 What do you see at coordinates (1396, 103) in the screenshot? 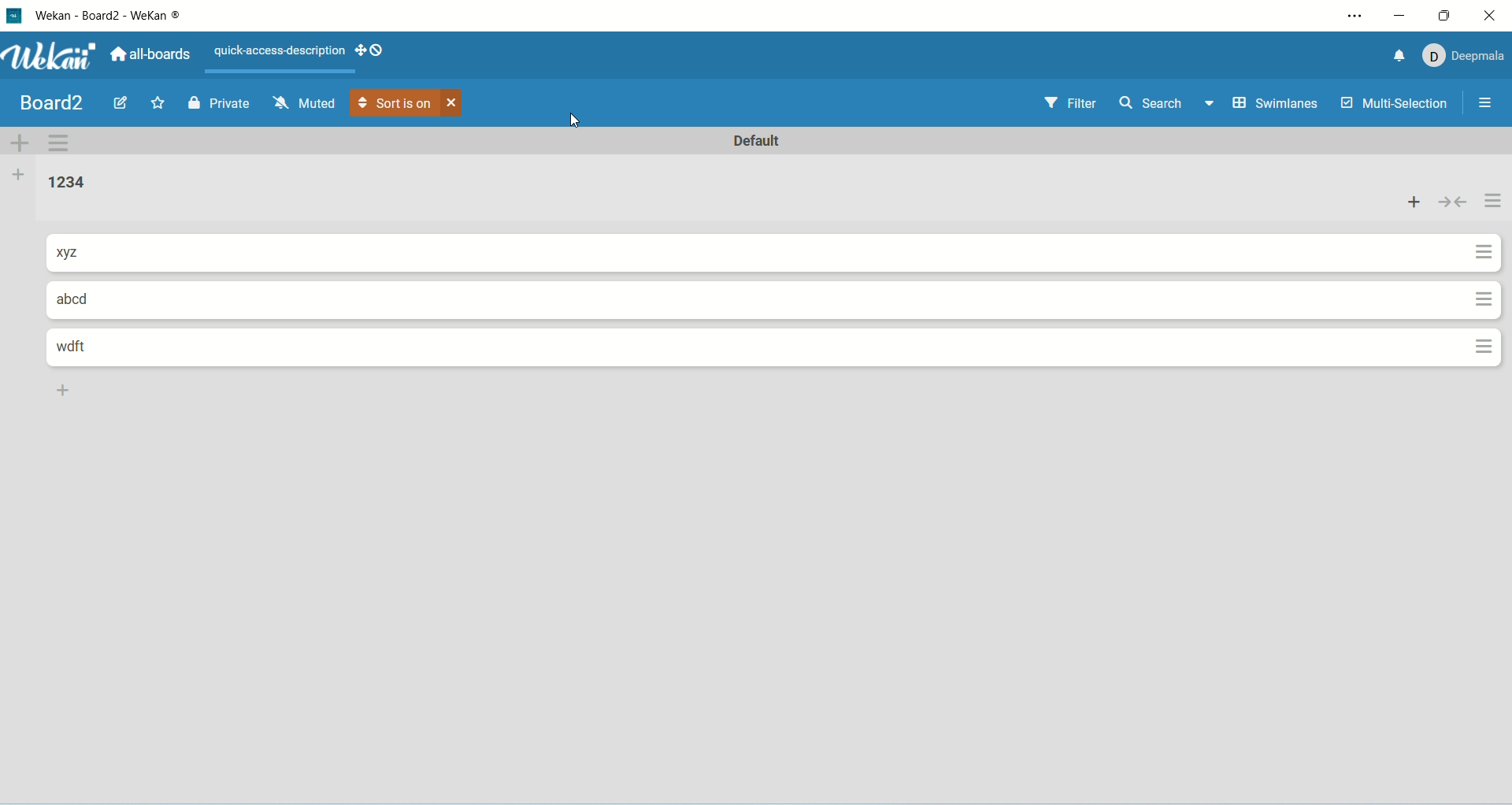
I see `multi-selection` at bounding box center [1396, 103].